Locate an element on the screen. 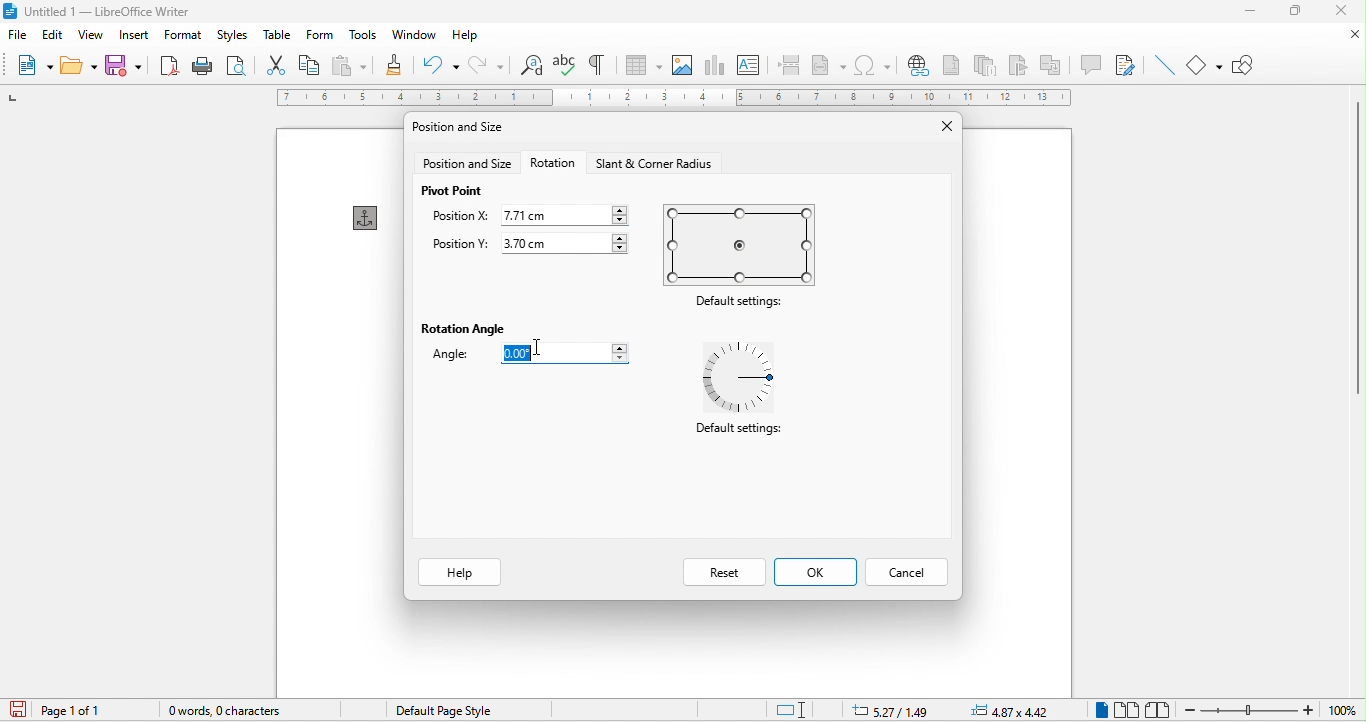 This screenshot has height=722, width=1366. 3.70 cm is located at coordinates (566, 243).